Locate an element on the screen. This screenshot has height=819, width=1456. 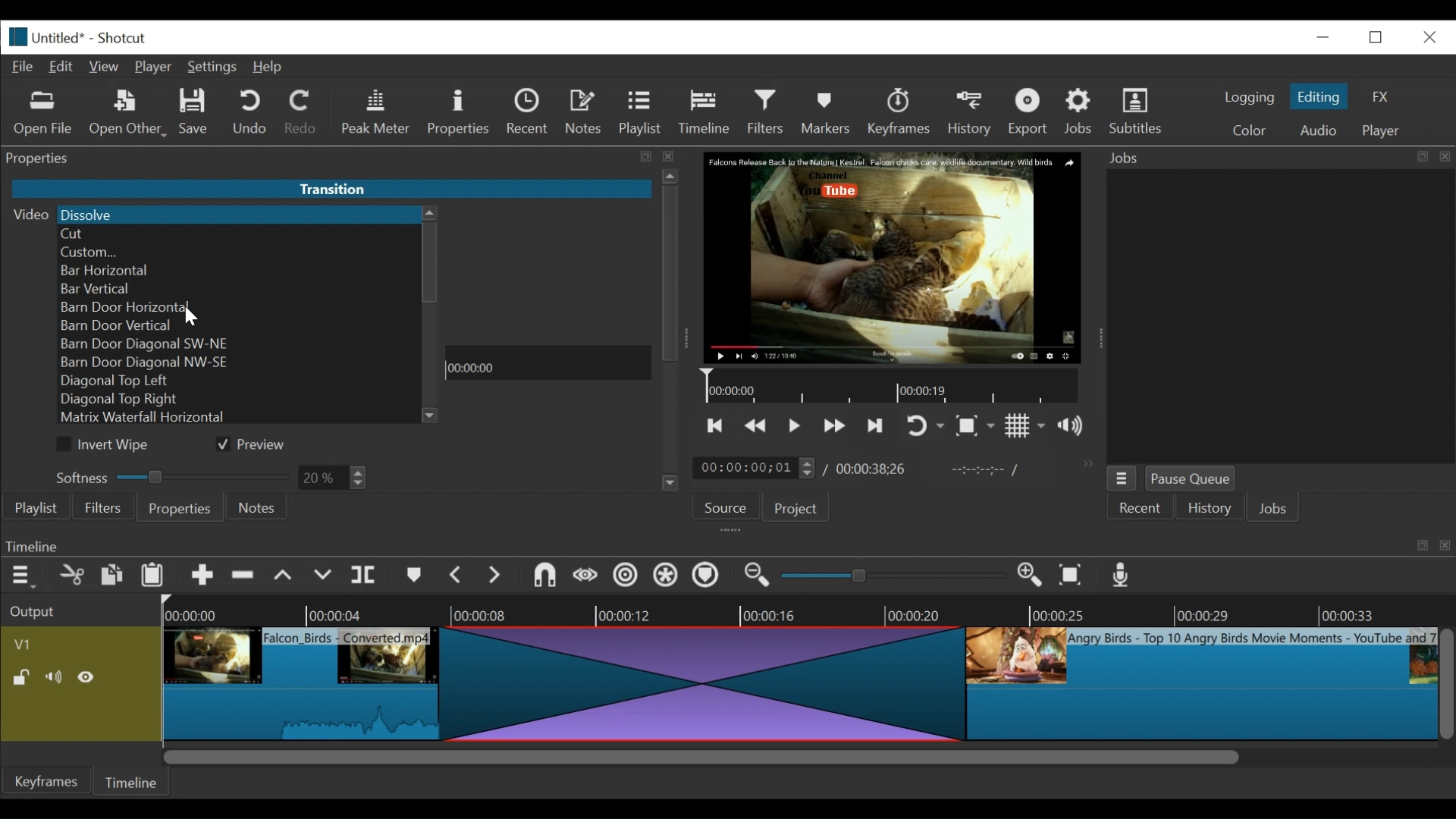
Jobs is located at coordinates (1081, 111).